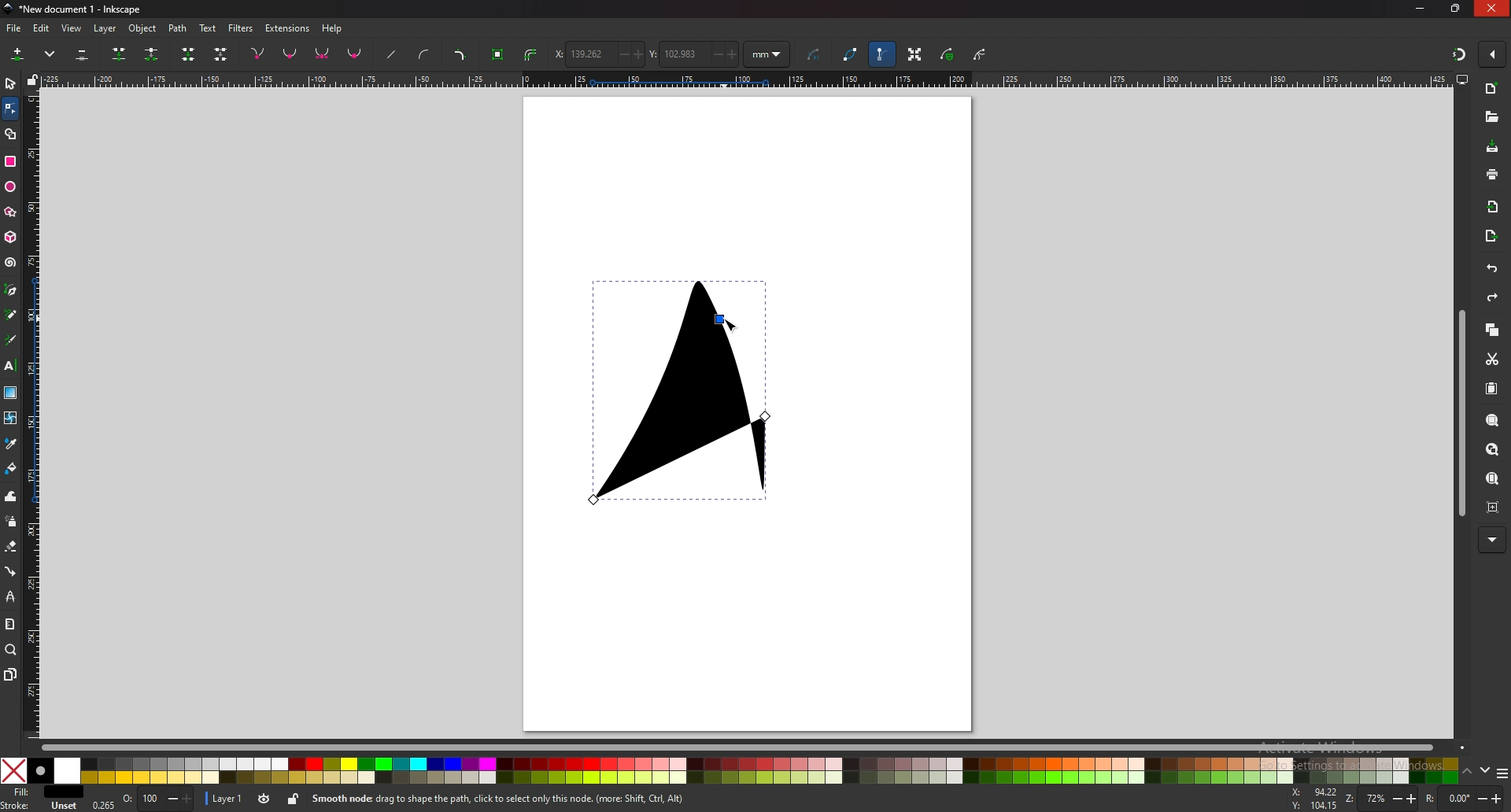 This screenshot has height=812, width=1511. Describe the element at coordinates (257, 54) in the screenshot. I see `nodes corner` at that location.